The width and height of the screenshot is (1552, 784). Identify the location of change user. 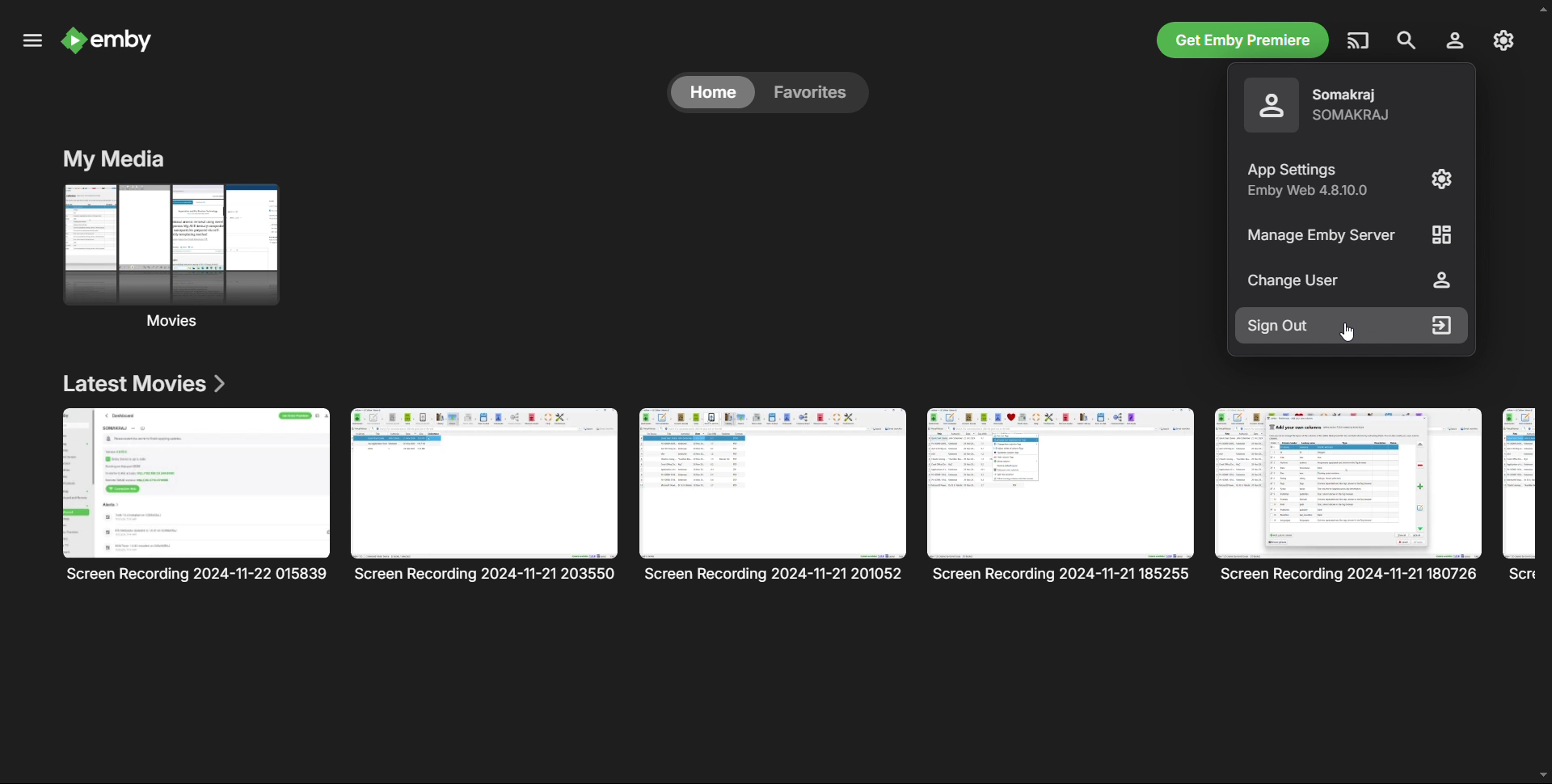
(1351, 280).